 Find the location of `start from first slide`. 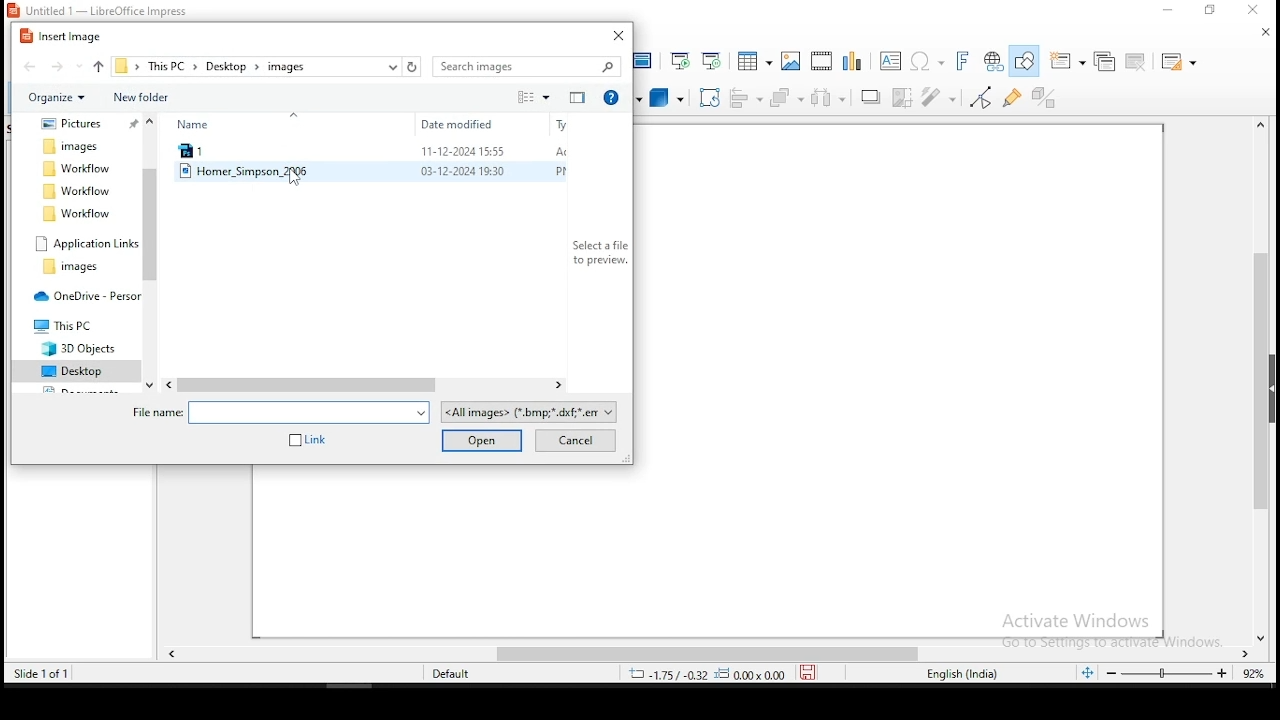

start from first slide is located at coordinates (682, 58).